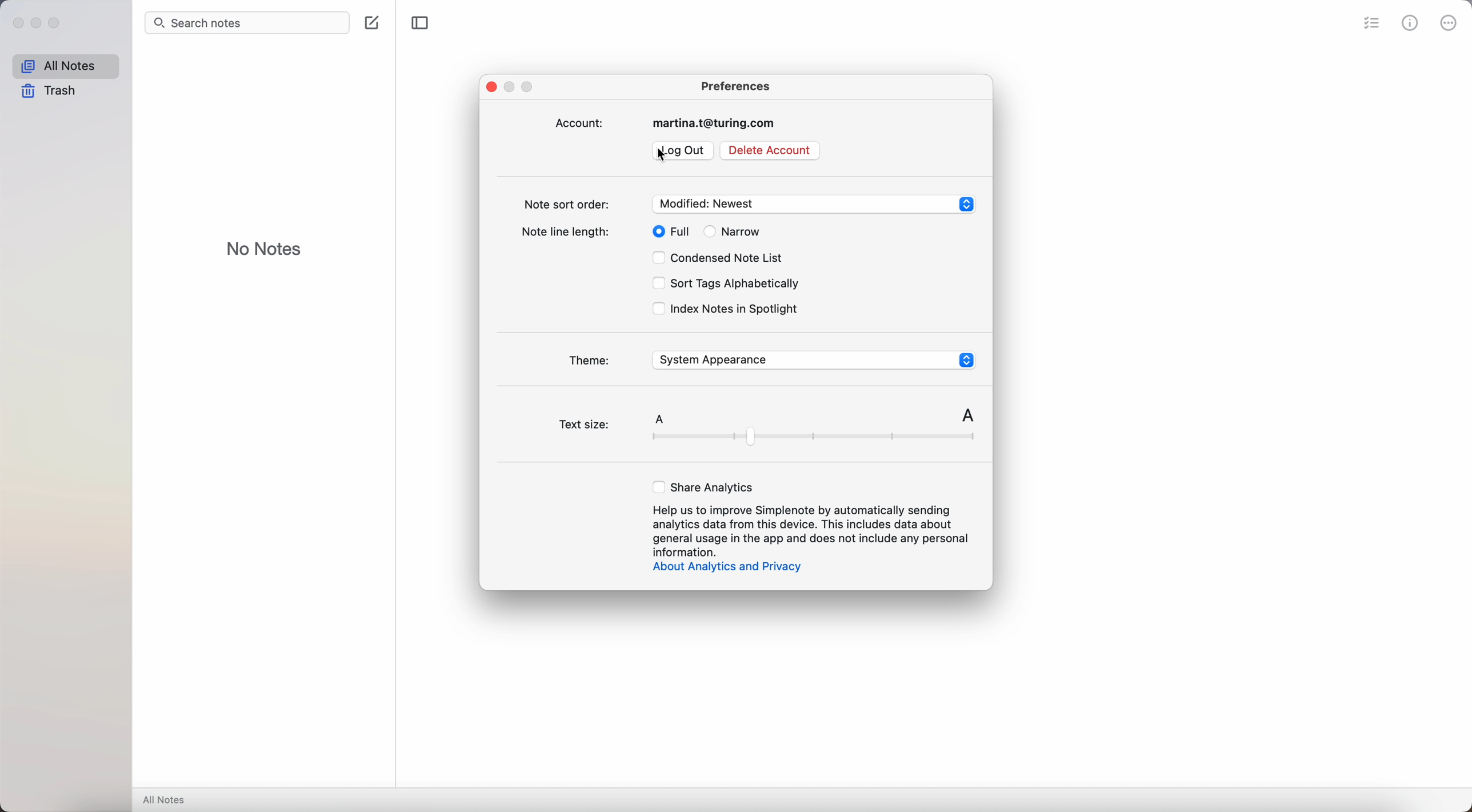  What do you see at coordinates (245, 23) in the screenshot?
I see `search bar` at bounding box center [245, 23].